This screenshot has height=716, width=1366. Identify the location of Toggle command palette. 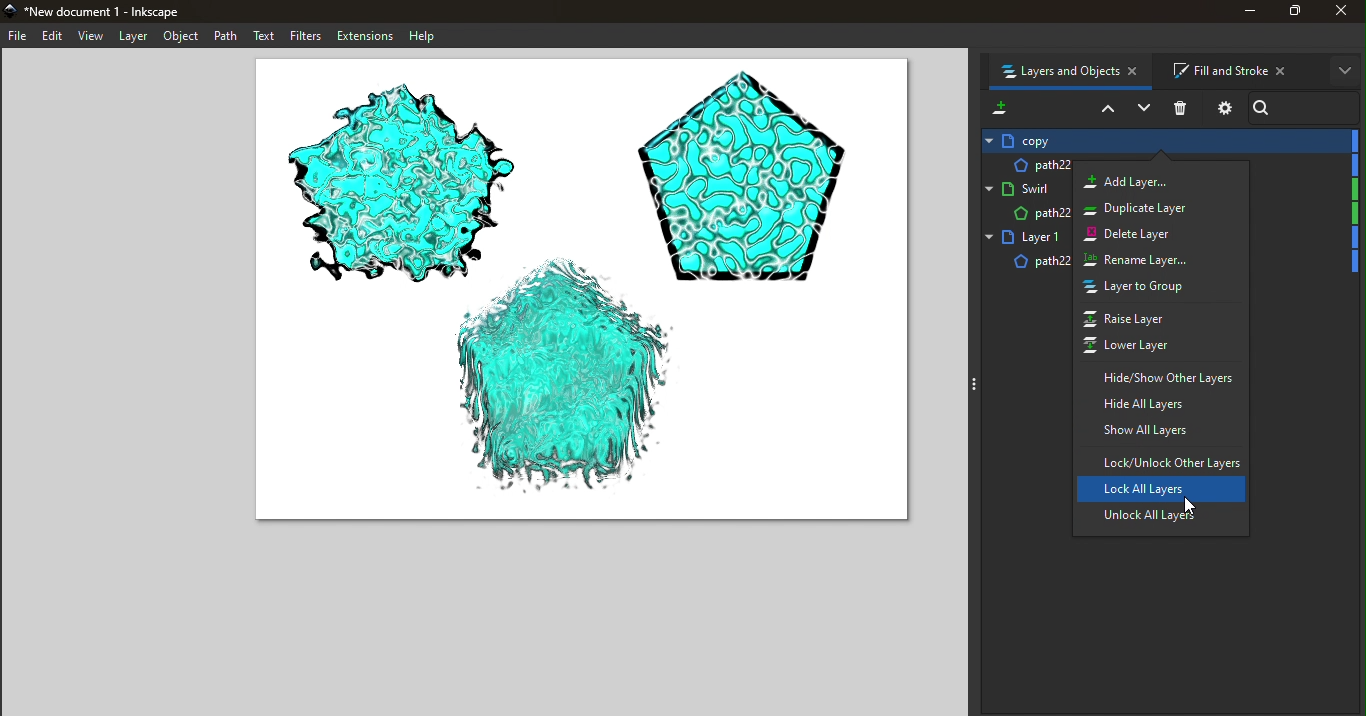
(971, 384).